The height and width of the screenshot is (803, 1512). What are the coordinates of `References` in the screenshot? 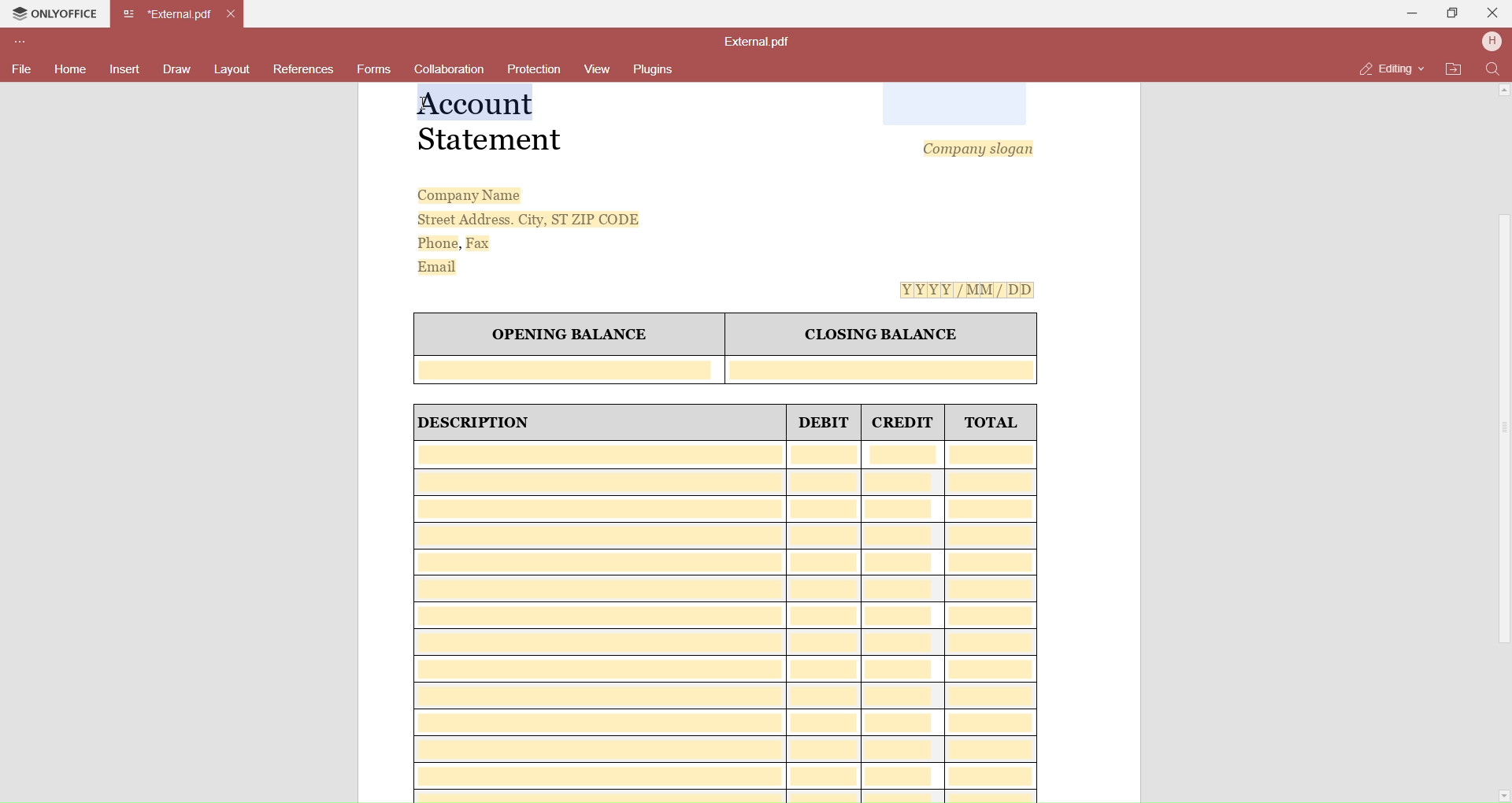 It's located at (303, 72).